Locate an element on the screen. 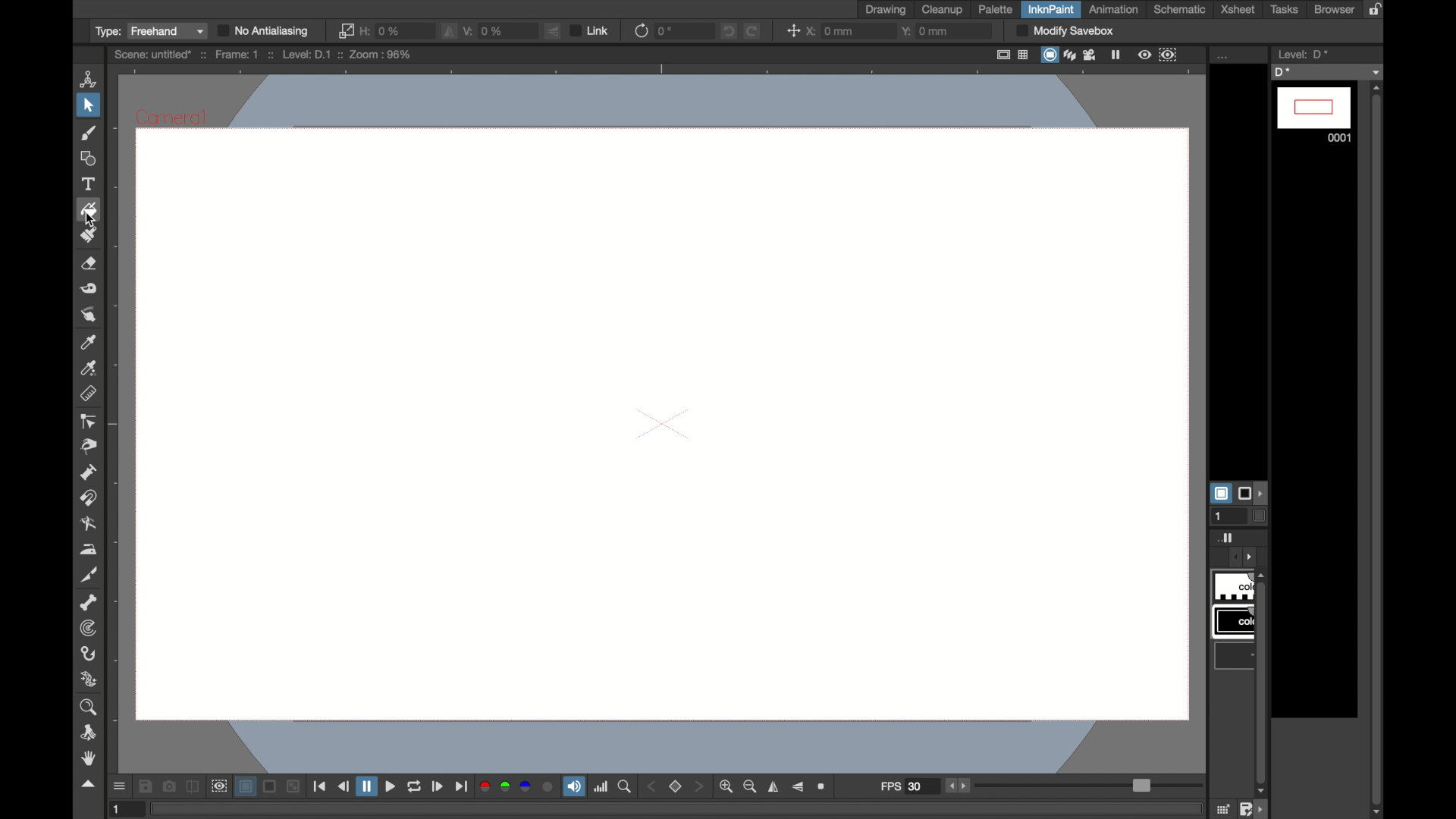  layers is located at coordinates (1072, 55).